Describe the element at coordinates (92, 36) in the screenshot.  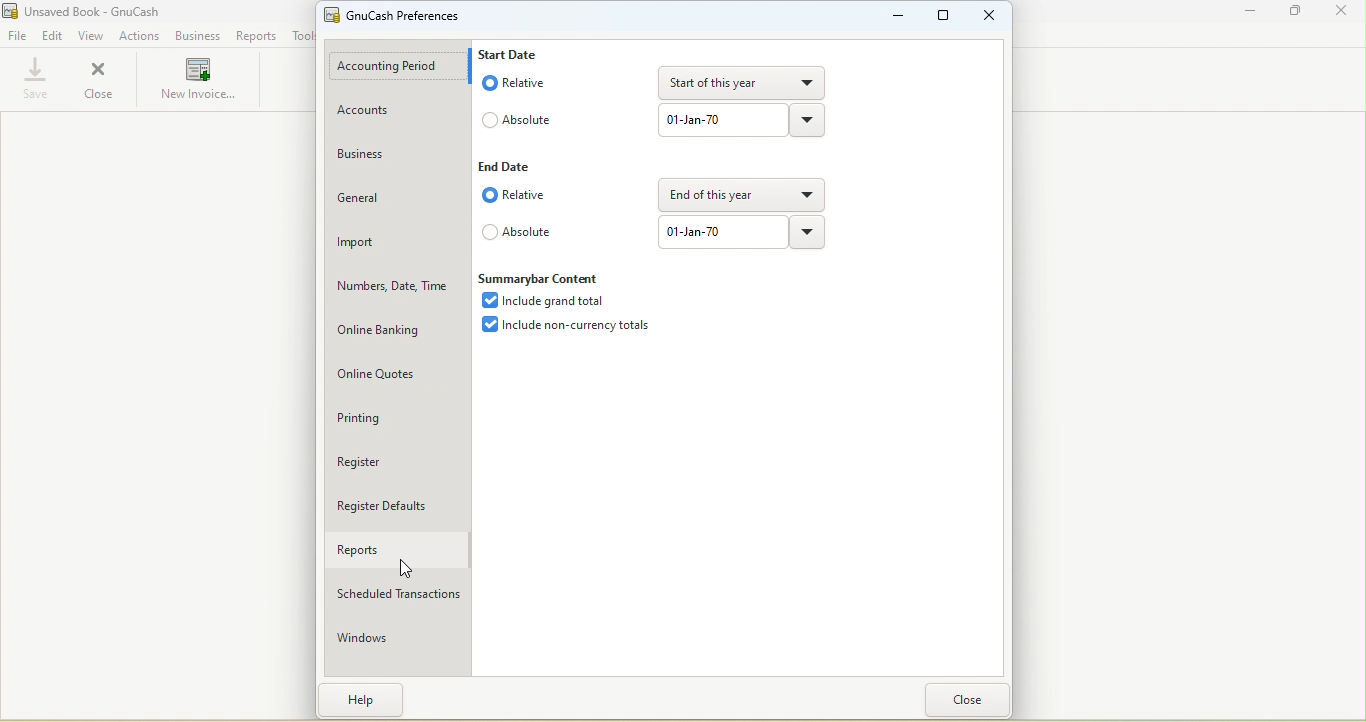
I see `View` at that location.